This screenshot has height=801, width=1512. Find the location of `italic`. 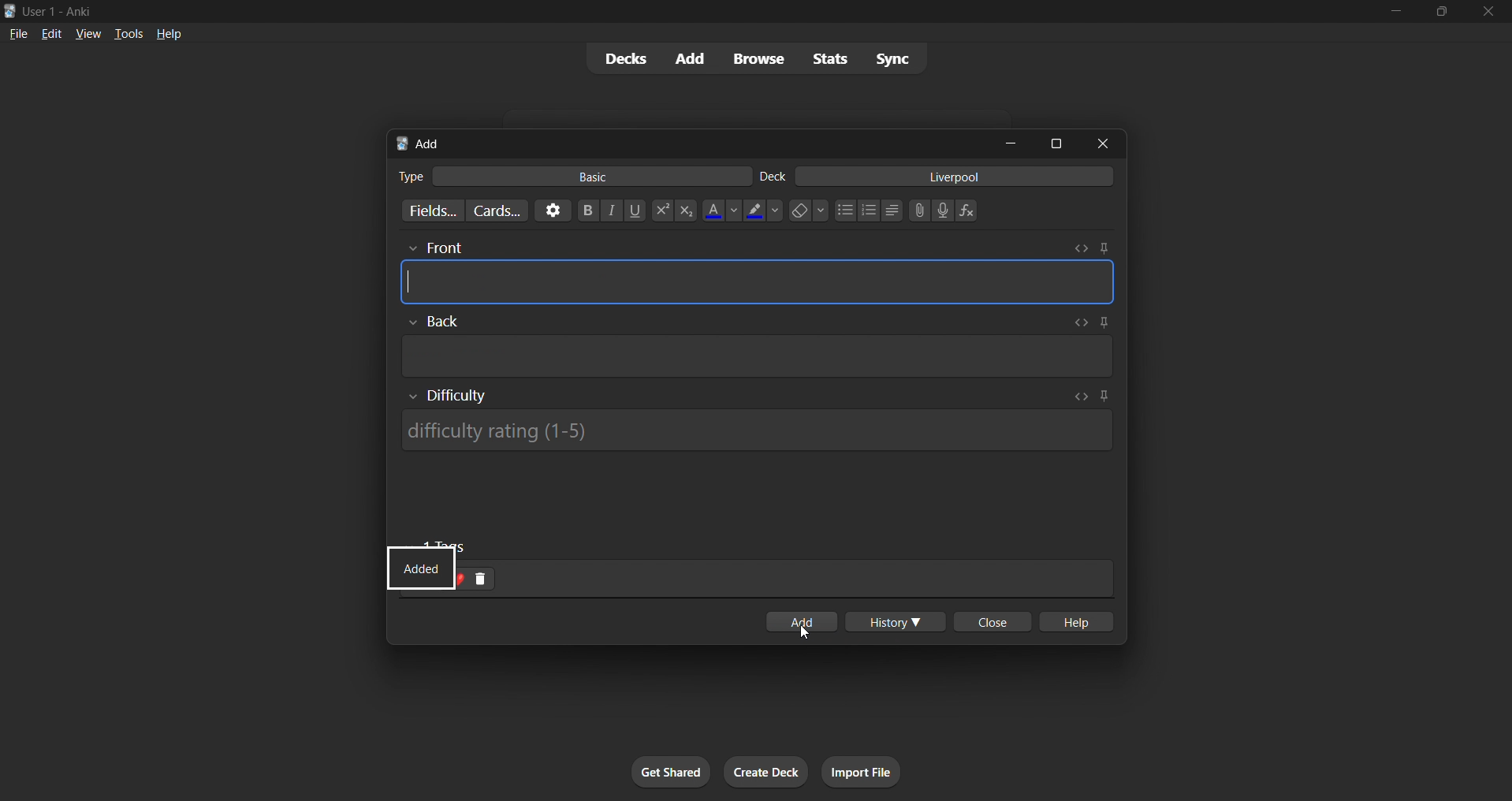

italic is located at coordinates (613, 212).